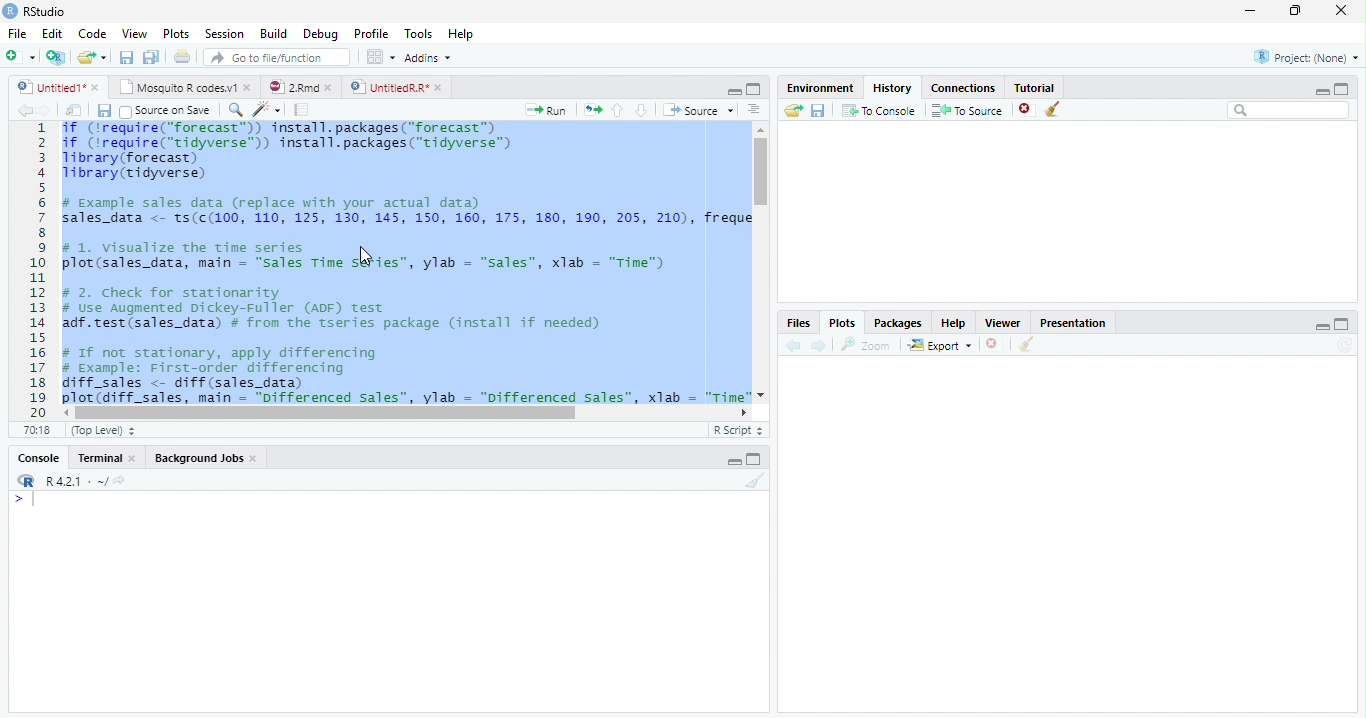 The width and height of the screenshot is (1366, 718). I want to click on Maximize, so click(1346, 88).